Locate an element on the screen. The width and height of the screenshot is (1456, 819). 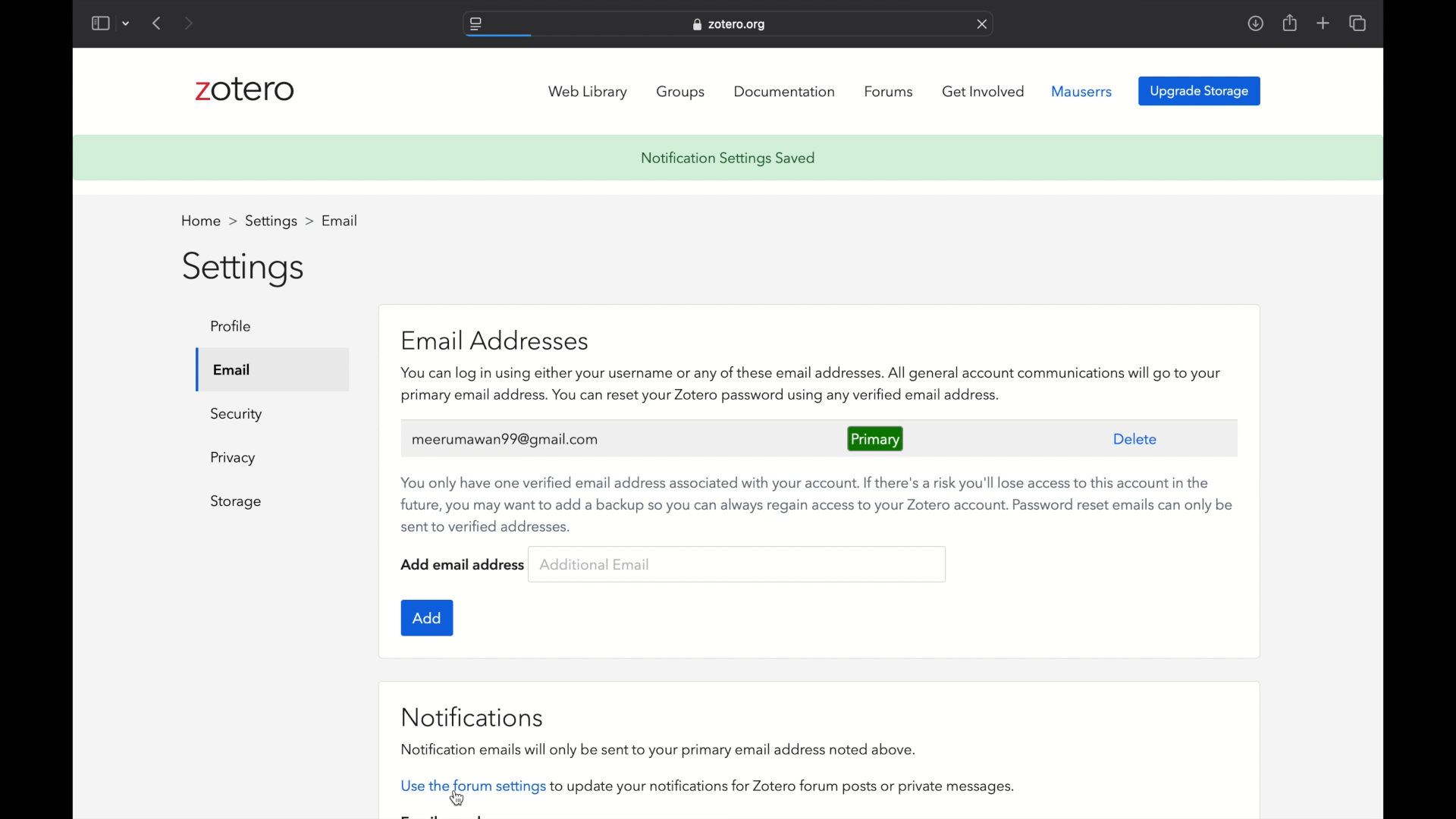
primary is located at coordinates (877, 438).